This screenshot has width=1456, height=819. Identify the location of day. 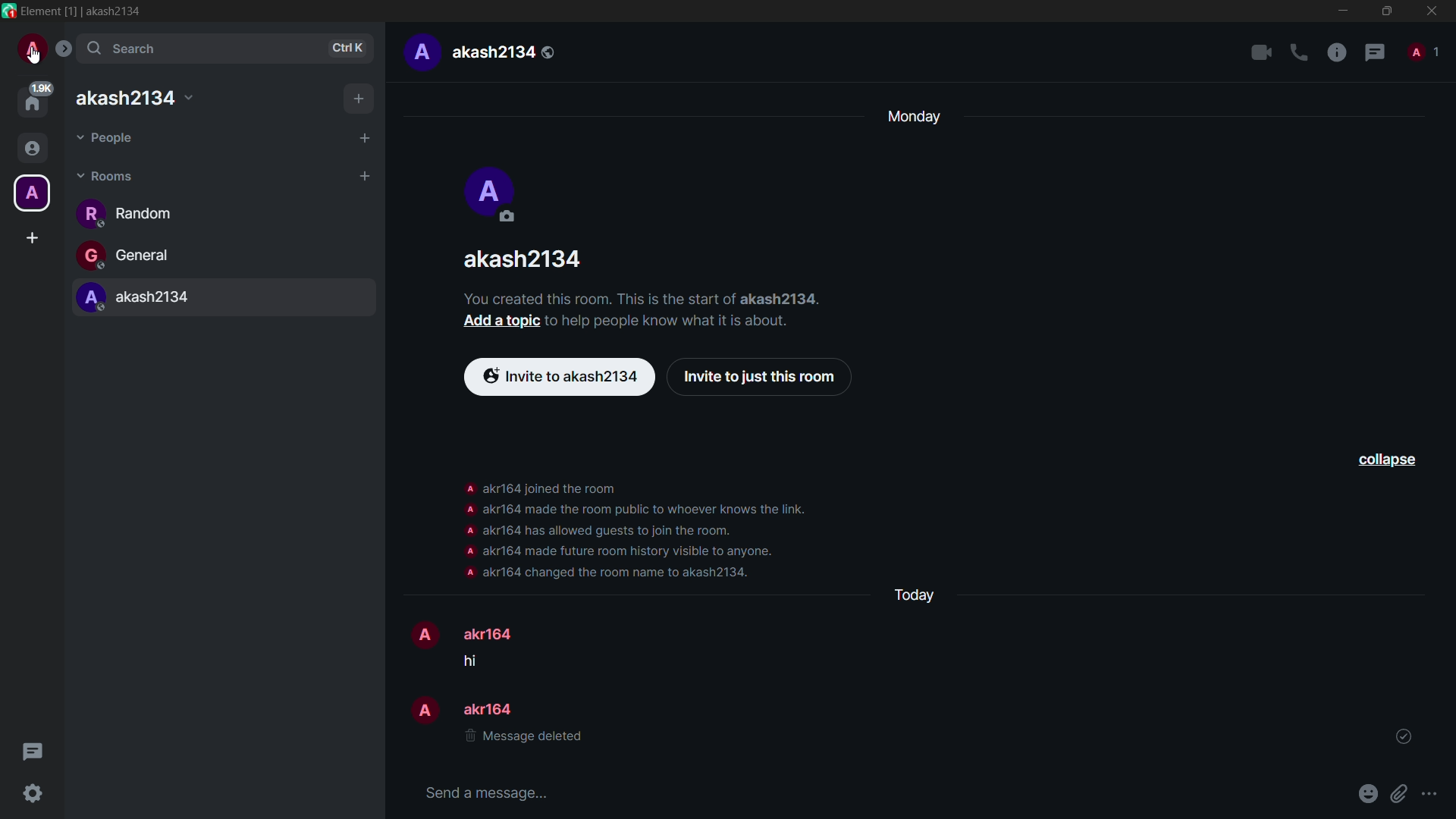
(912, 595).